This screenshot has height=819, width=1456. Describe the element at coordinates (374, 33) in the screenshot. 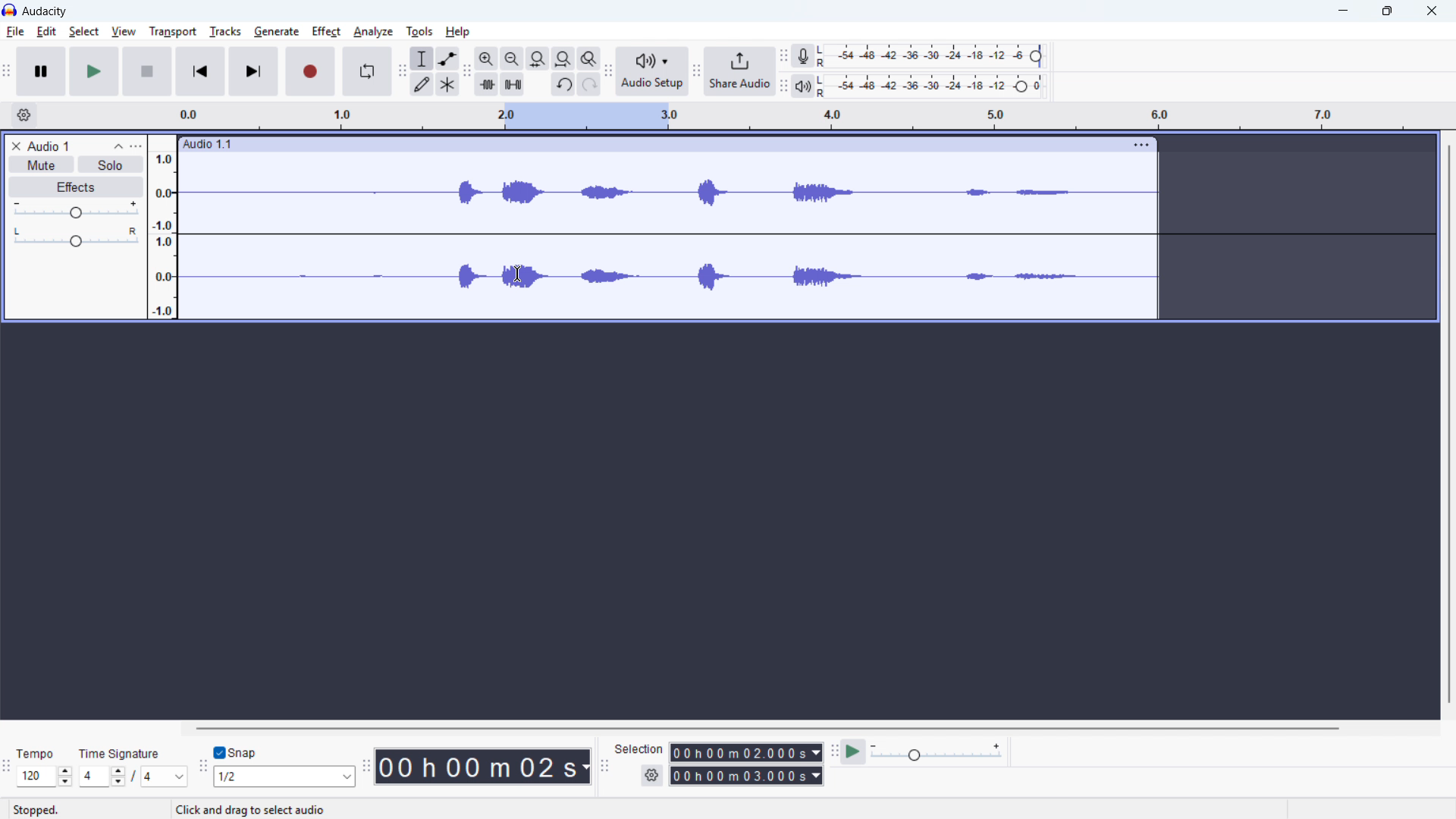

I see `Analyse` at that location.